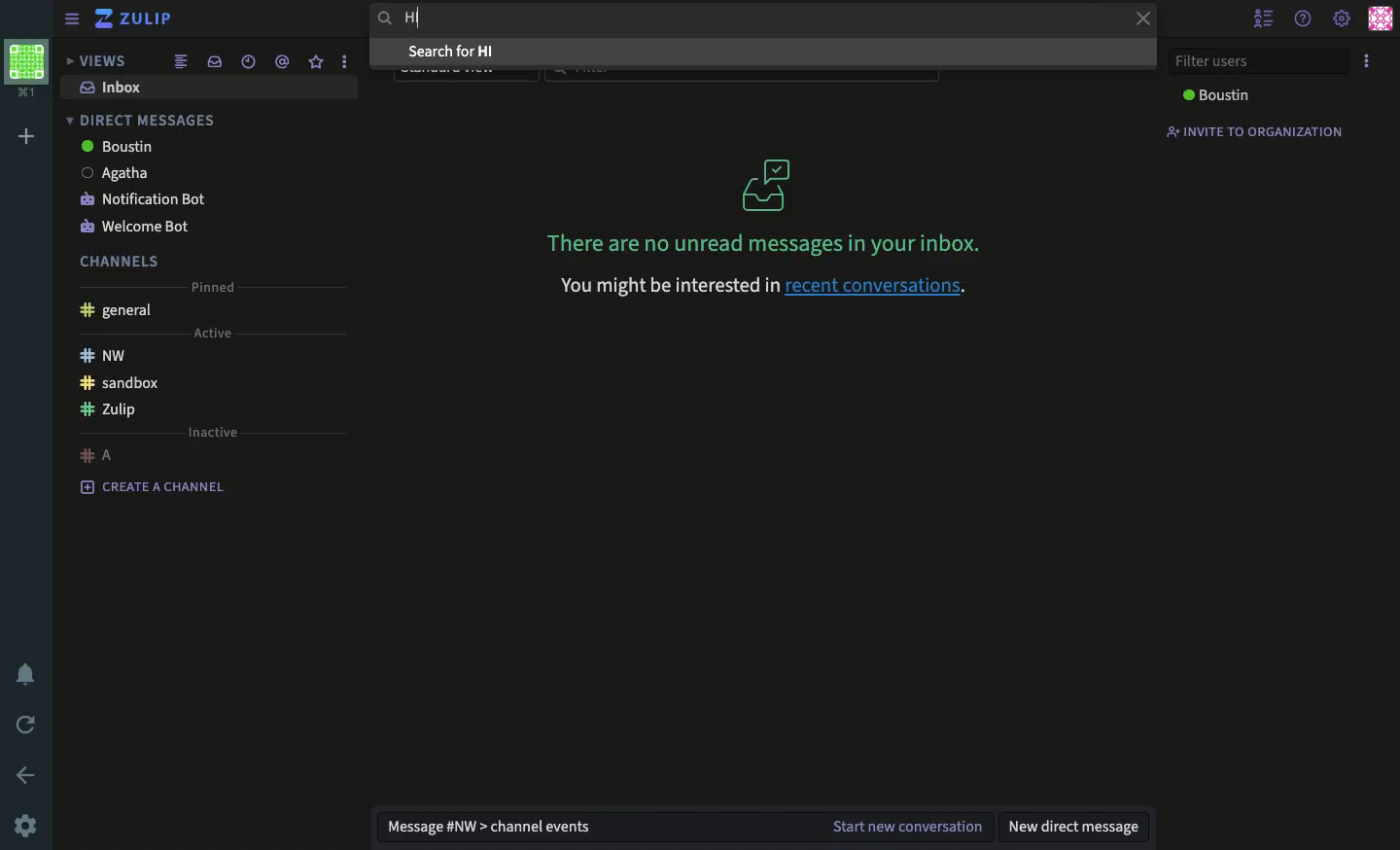 This screenshot has width=1400, height=850. I want to click on Agatha, so click(116, 174).